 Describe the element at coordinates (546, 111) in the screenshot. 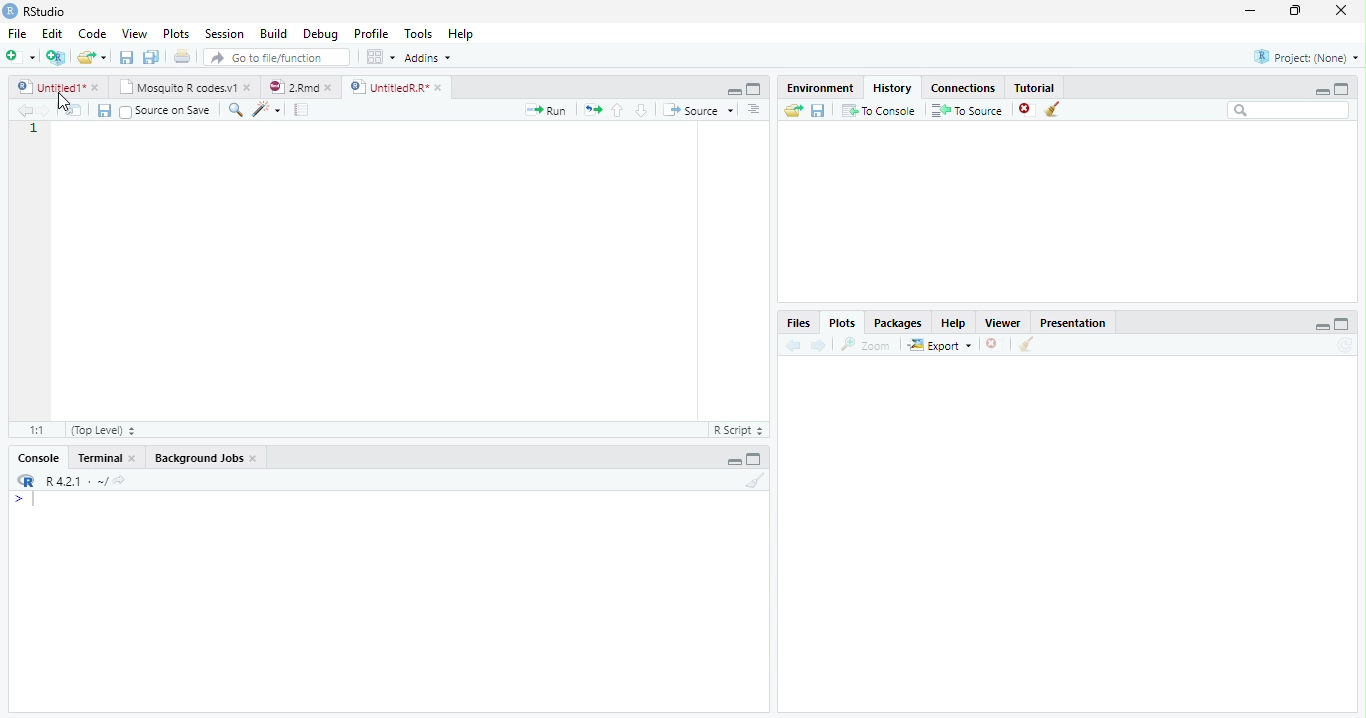

I see `Run` at that location.